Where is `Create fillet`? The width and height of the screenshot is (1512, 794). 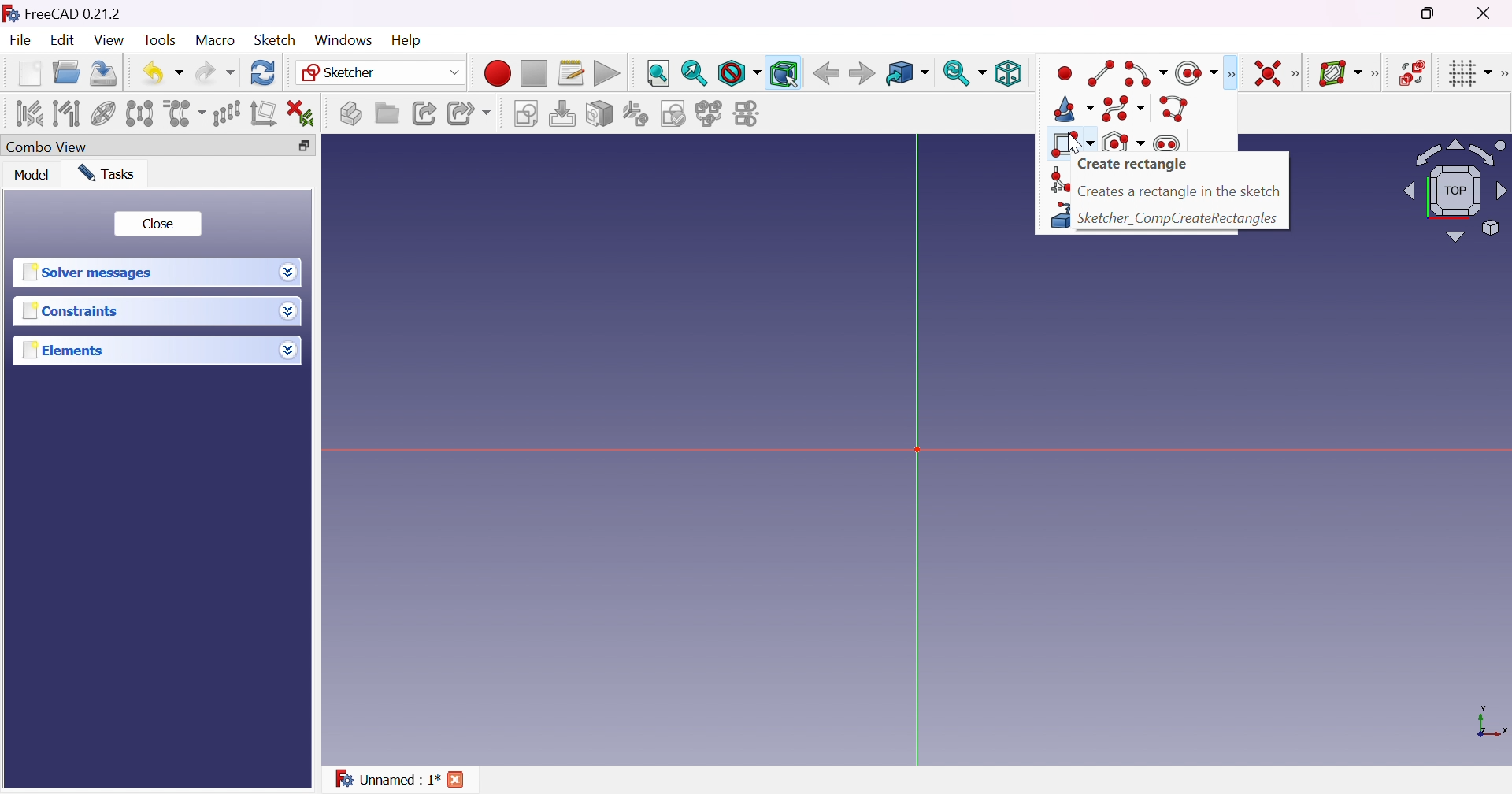 Create fillet is located at coordinates (1056, 180).